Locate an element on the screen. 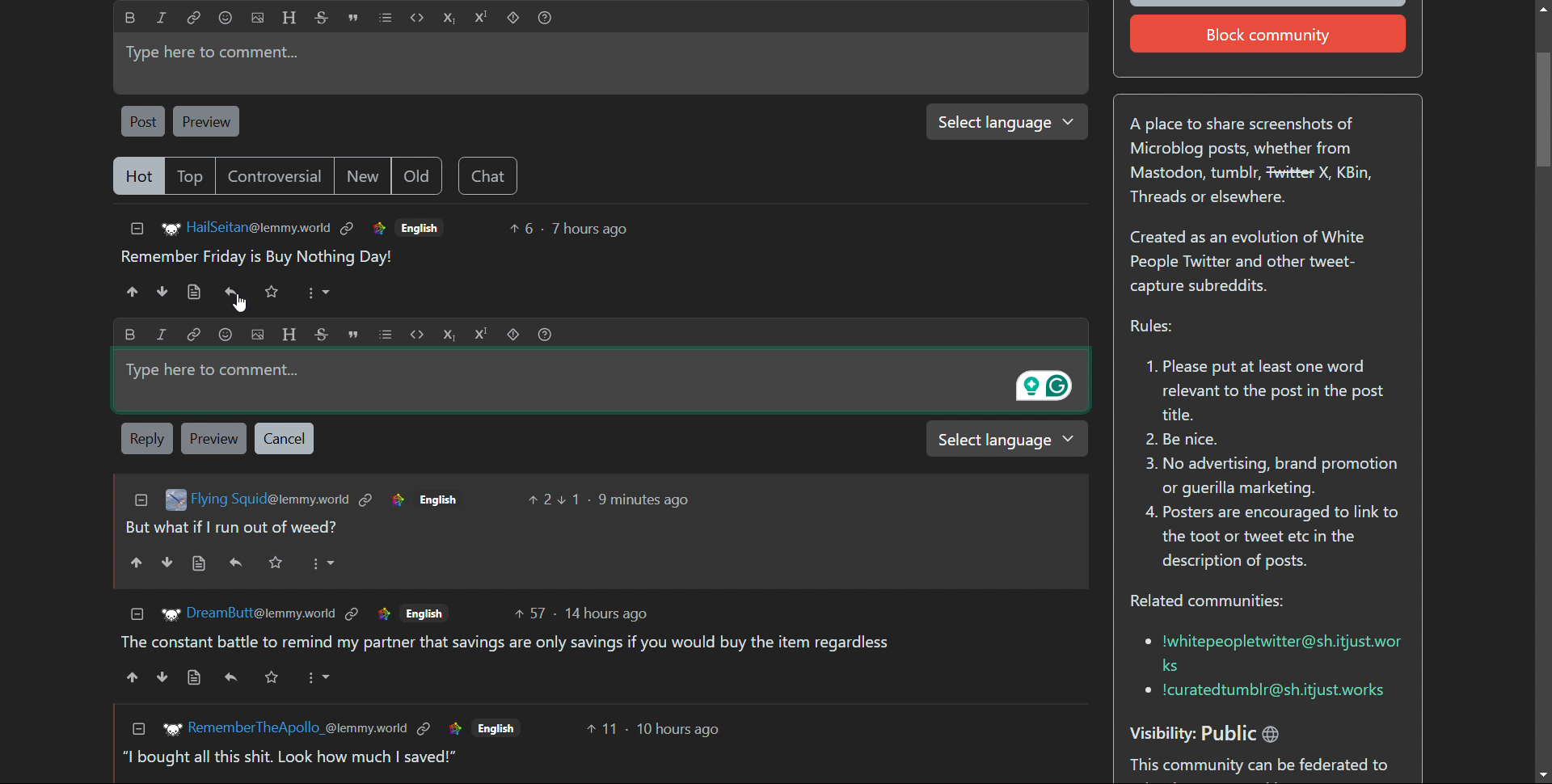 The image size is (1552, 784). This community can be federated to is located at coordinates (1264, 767).